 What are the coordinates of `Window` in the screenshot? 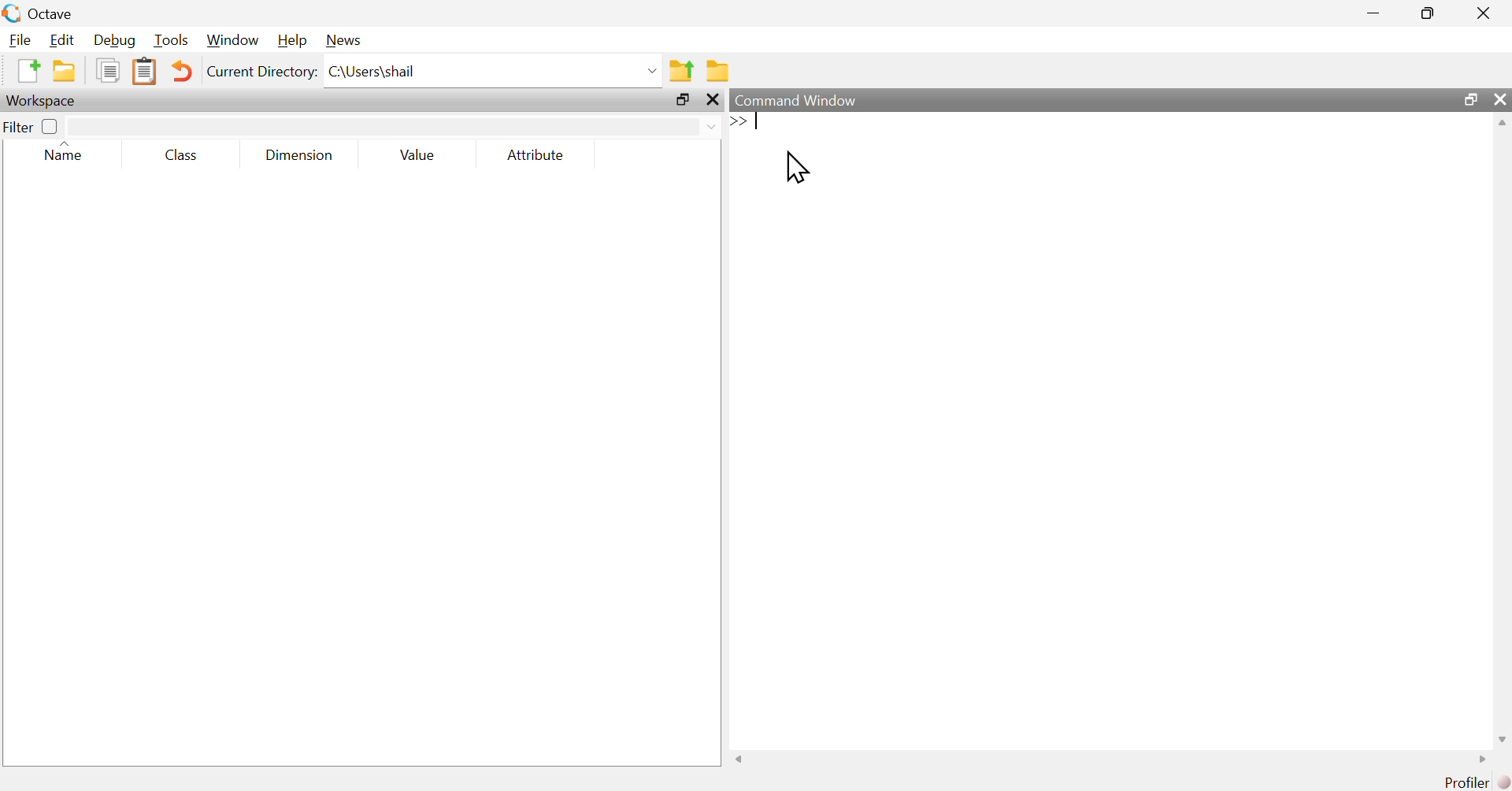 It's located at (231, 41).